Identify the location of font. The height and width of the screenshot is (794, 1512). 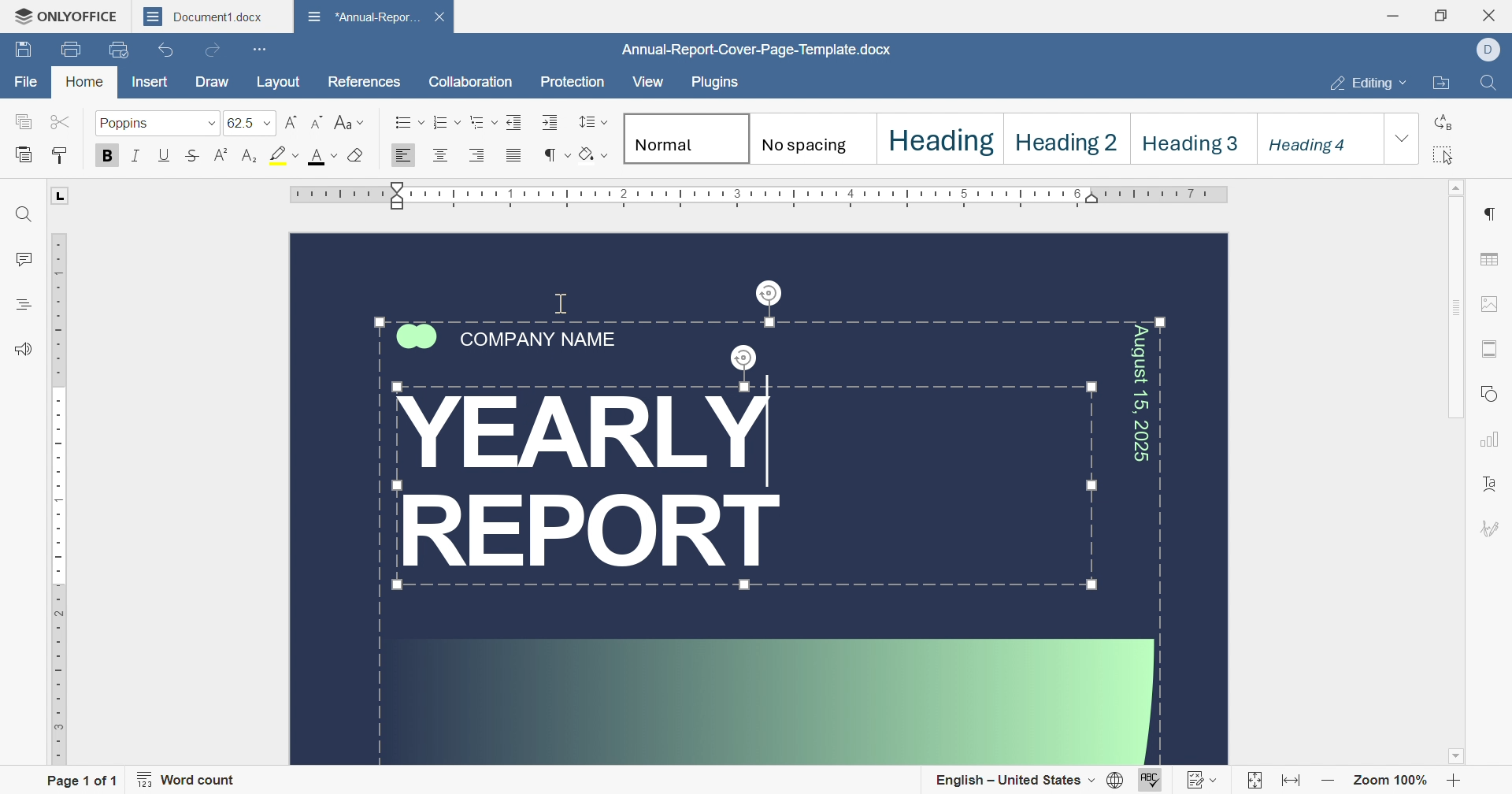
(159, 122).